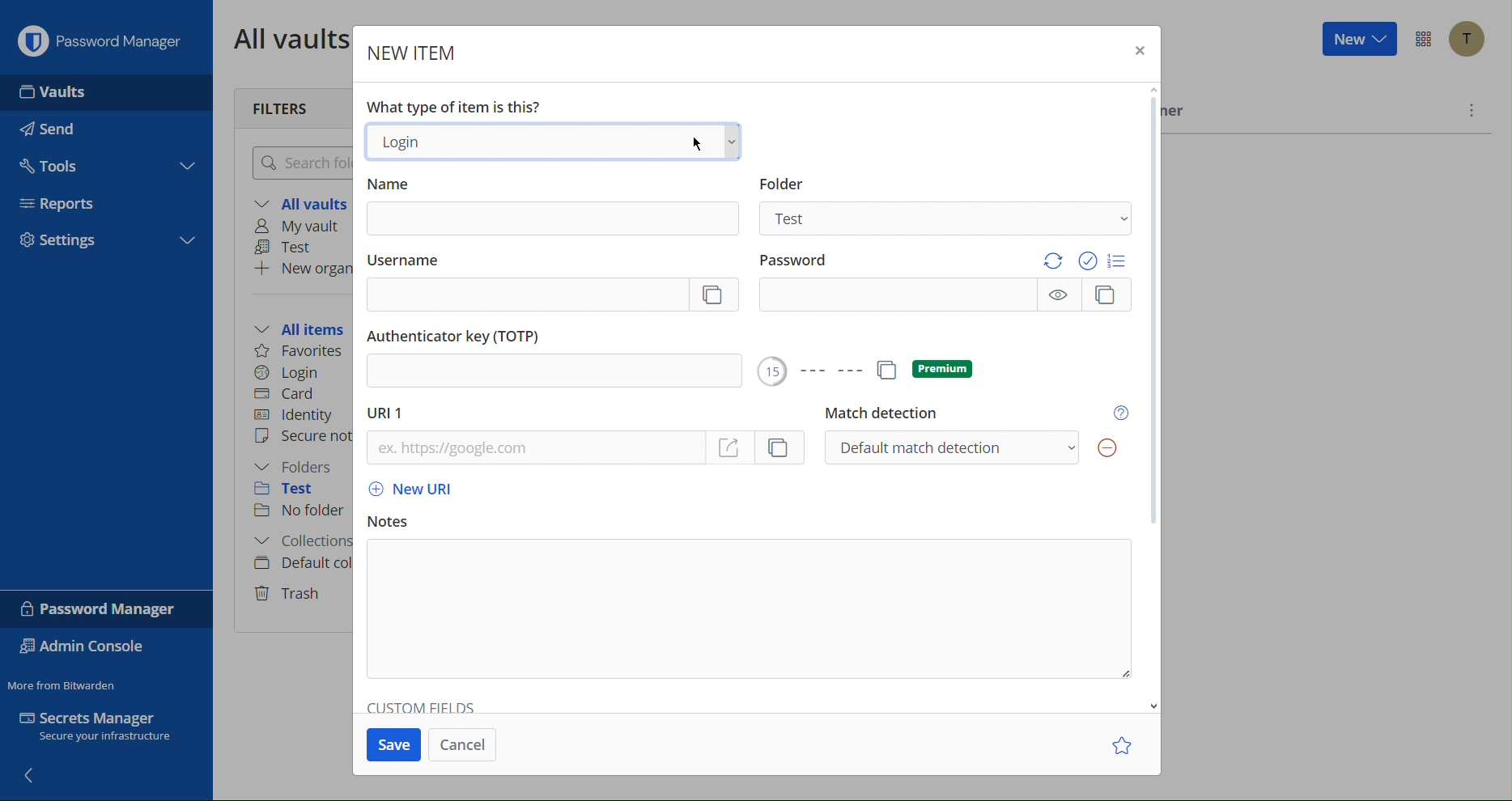 This screenshot has width=1512, height=801. I want to click on Tools, so click(59, 165).